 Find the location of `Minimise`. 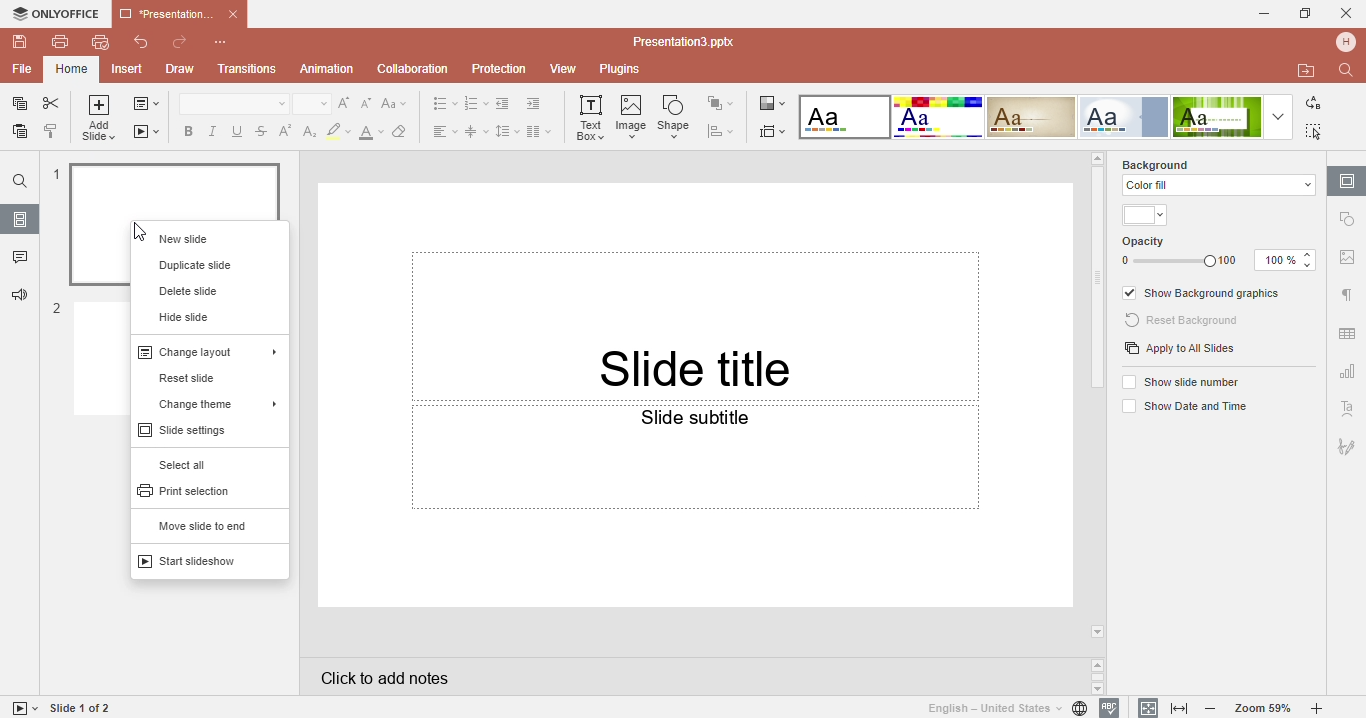

Minimise is located at coordinates (1258, 13).